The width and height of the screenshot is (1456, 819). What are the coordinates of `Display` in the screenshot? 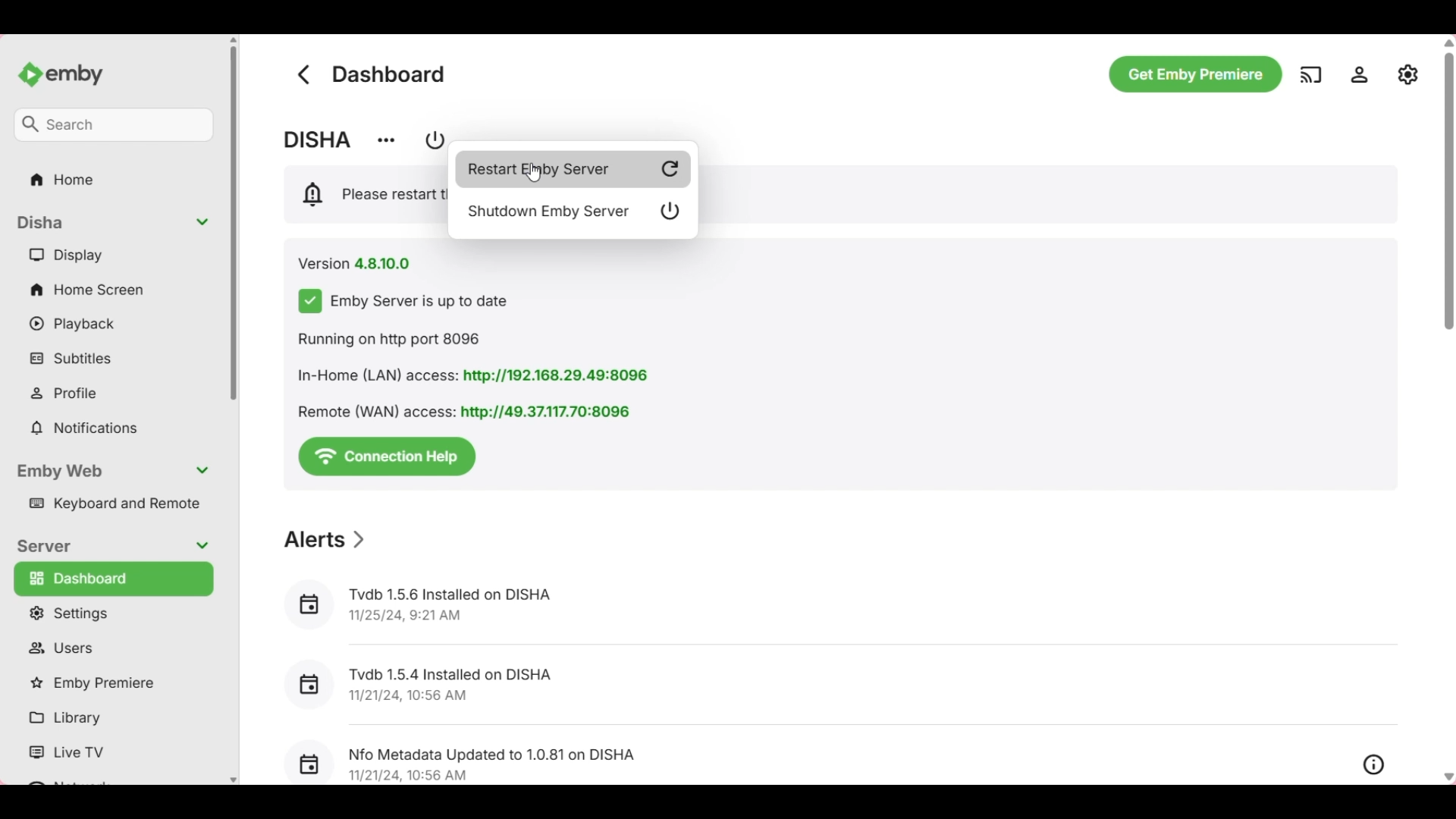 It's located at (113, 254).